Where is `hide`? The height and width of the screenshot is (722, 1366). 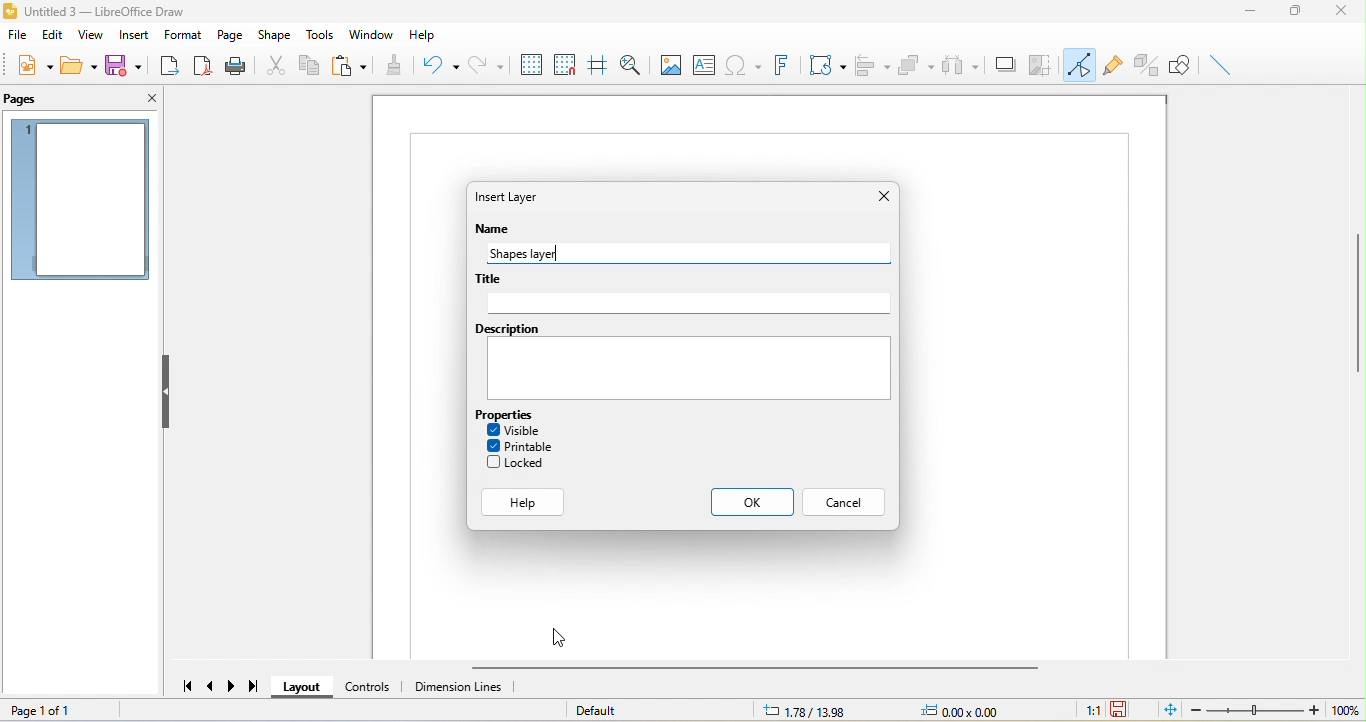
hide is located at coordinates (165, 390).